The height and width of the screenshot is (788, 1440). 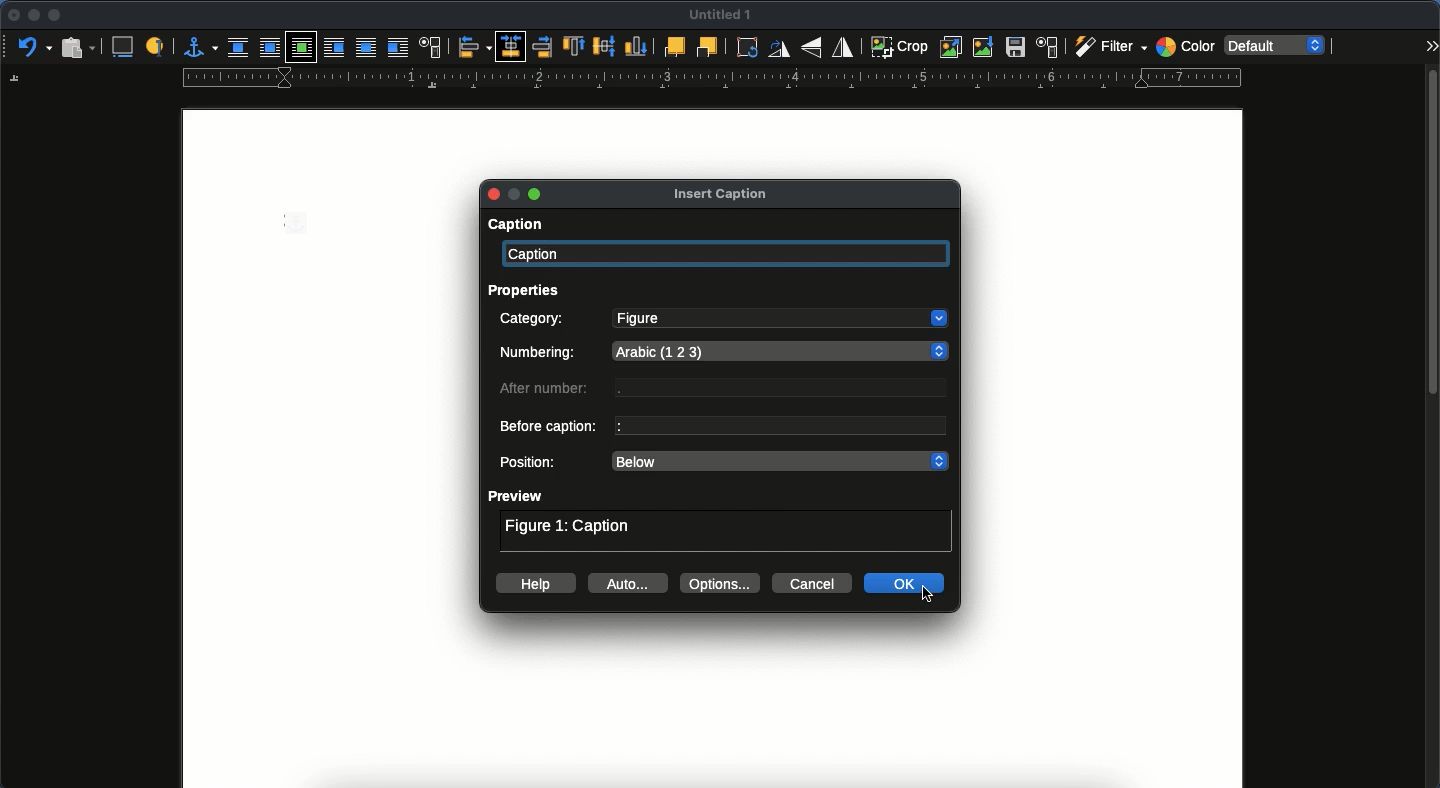 What do you see at coordinates (576, 46) in the screenshot?
I see `top to anchor ` at bounding box center [576, 46].